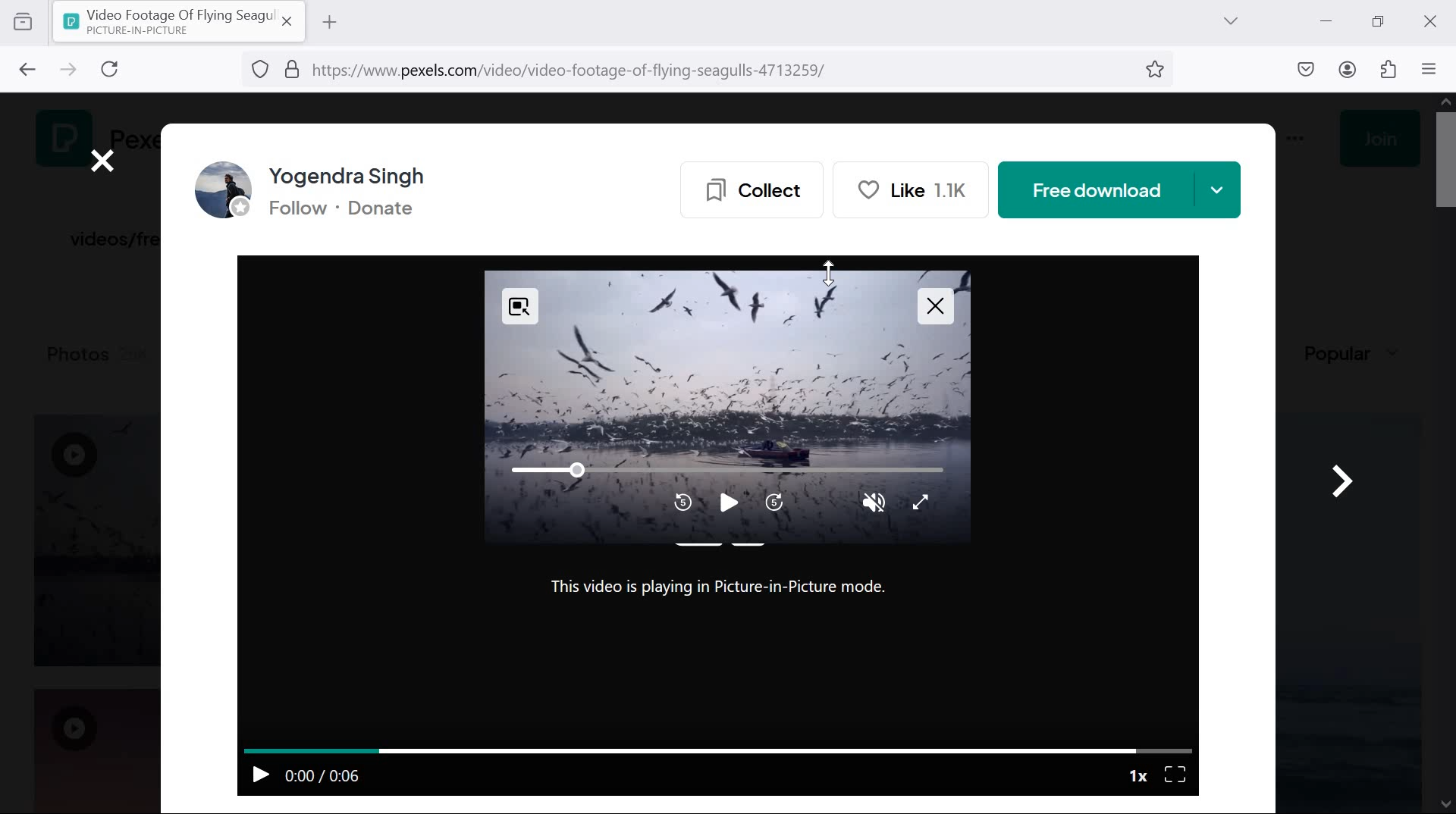 Image resolution: width=1456 pixels, height=814 pixels. Describe the element at coordinates (103, 161) in the screenshot. I see `close` at that location.